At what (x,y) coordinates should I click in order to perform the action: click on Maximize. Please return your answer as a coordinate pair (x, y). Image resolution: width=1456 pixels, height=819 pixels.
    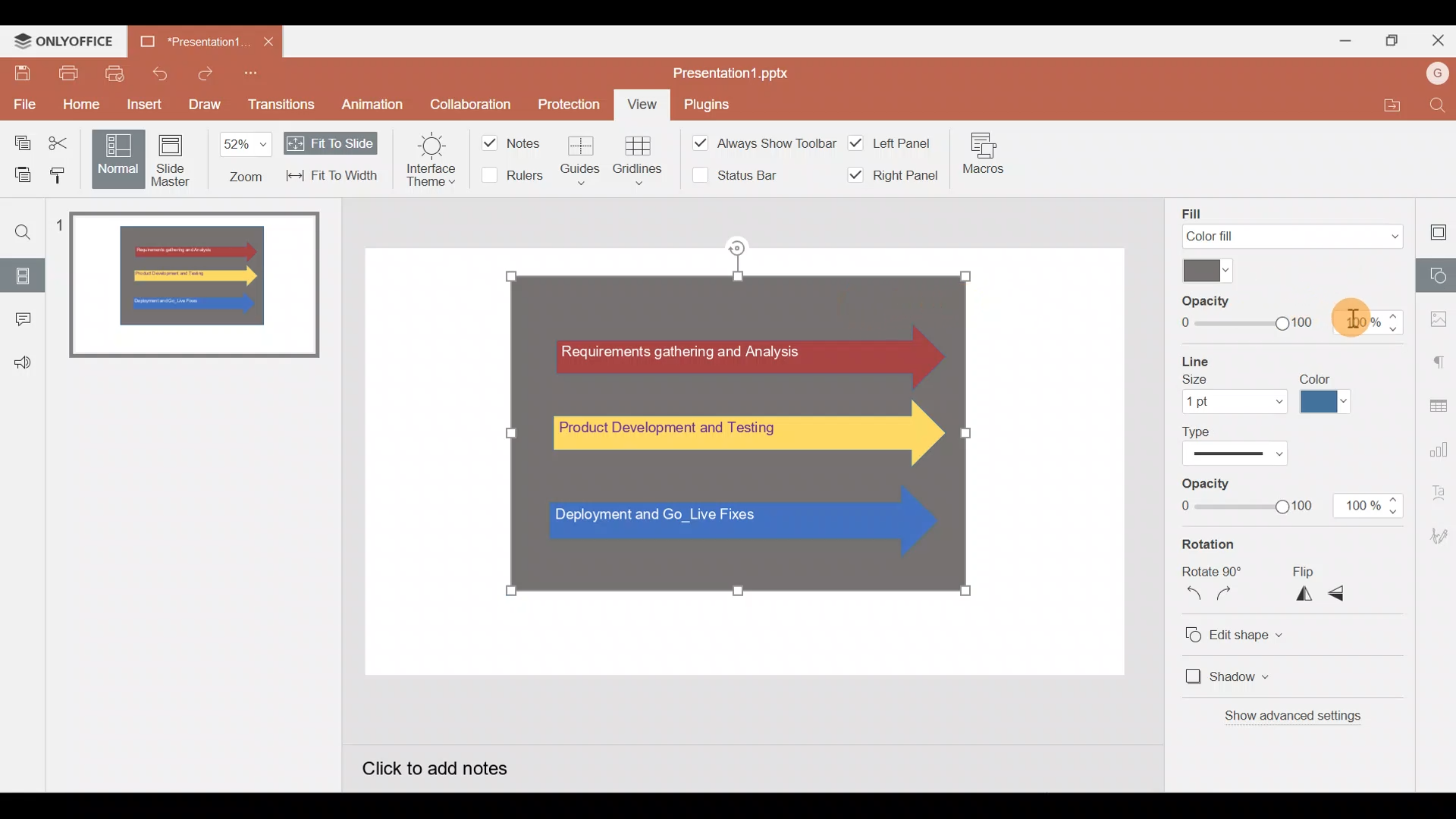
    Looking at the image, I should click on (1393, 42).